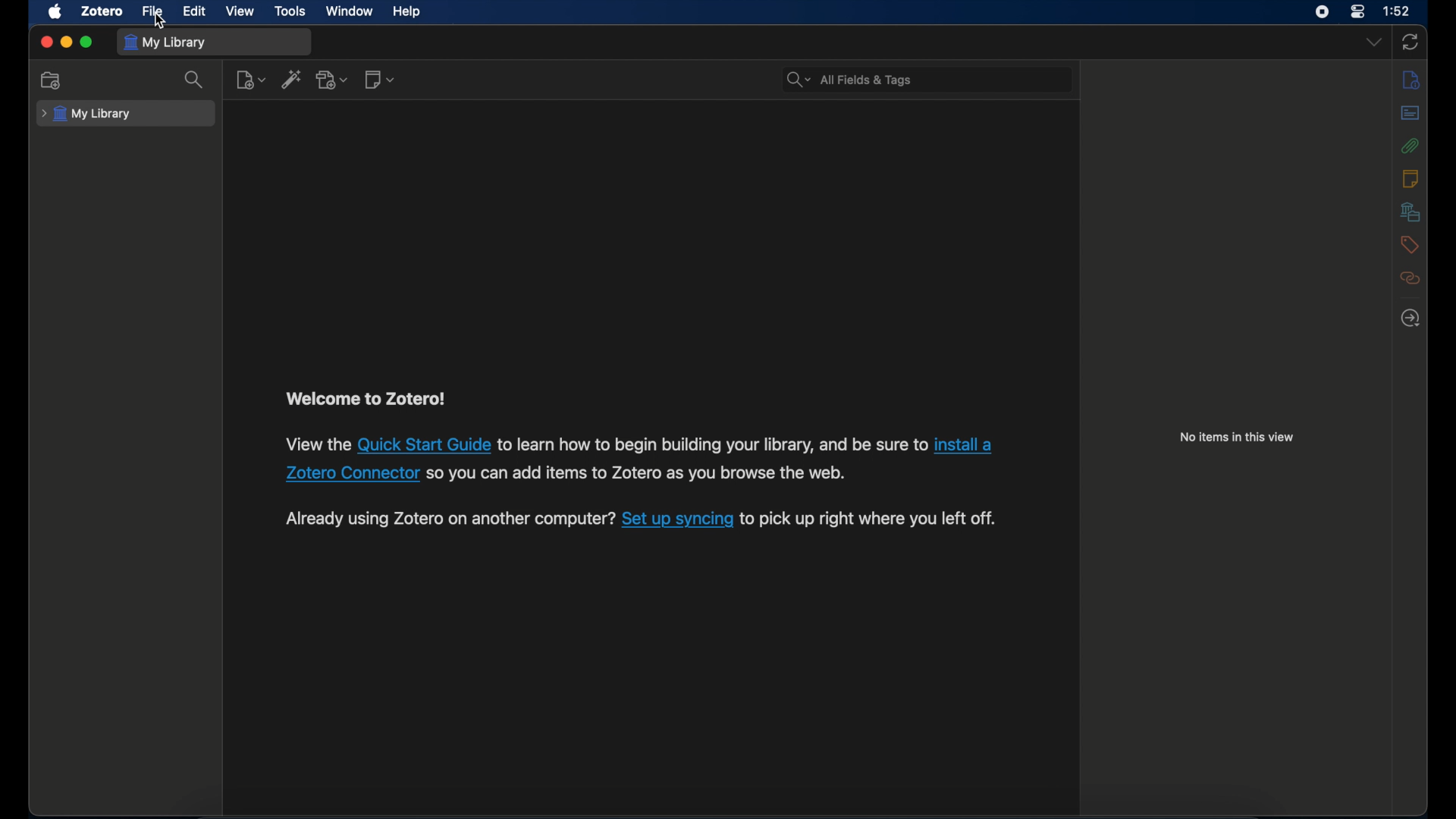 This screenshot has width=1456, height=819. Describe the element at coordinates (46, 42) in the screenshot. I see `close` at that location.